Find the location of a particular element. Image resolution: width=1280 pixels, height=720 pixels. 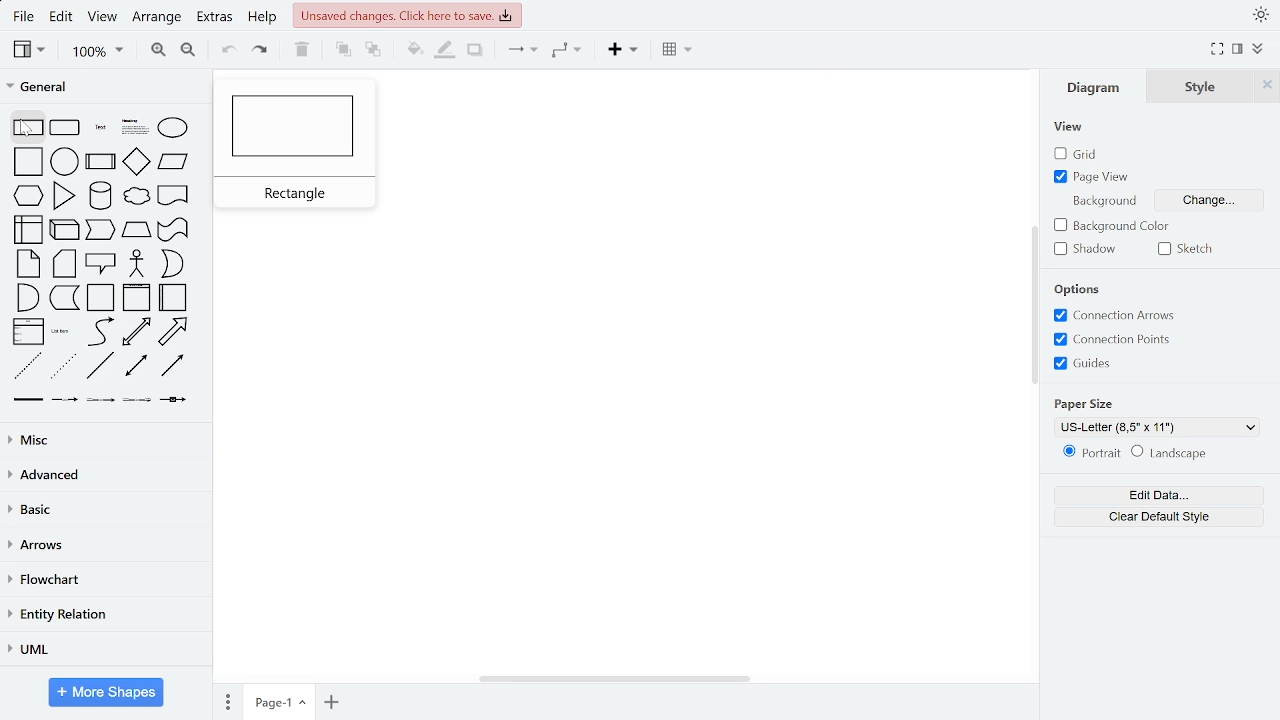

view is located at coordinates (30, 51).